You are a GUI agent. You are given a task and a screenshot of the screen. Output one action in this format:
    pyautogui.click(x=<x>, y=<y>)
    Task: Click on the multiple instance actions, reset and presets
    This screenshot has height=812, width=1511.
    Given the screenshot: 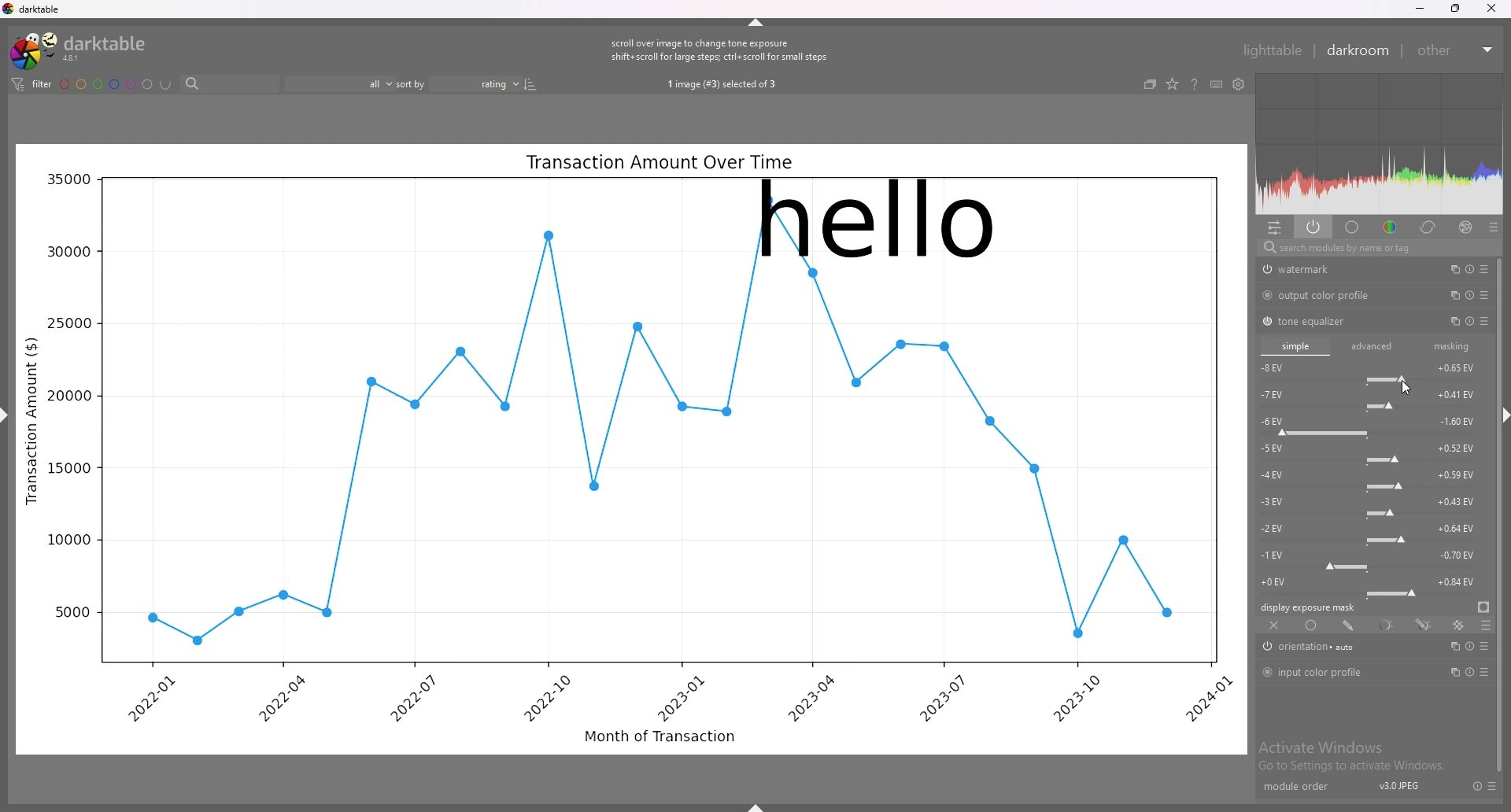 What is the action you would take?
    pyautogui.click(x=1469, y=647)
    